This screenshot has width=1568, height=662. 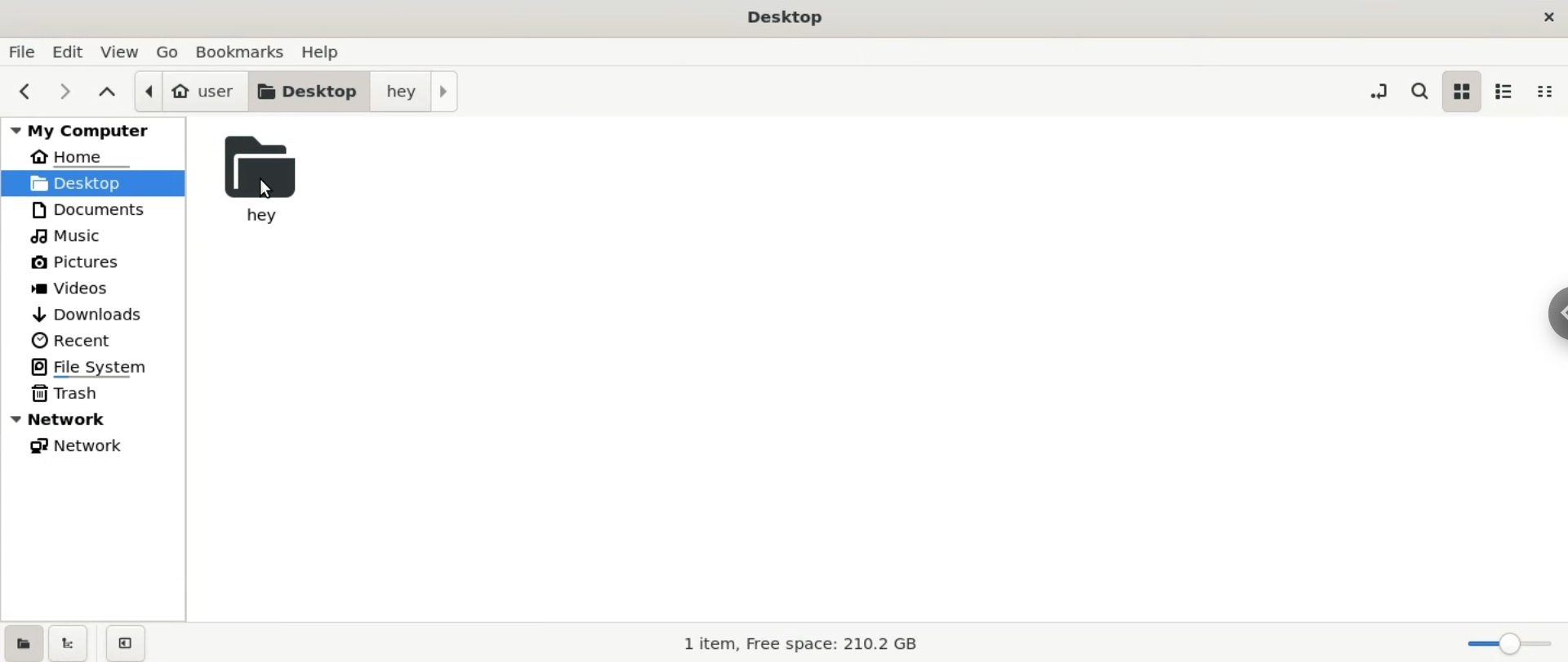 I want to click on network, so click(x=90, y=447).